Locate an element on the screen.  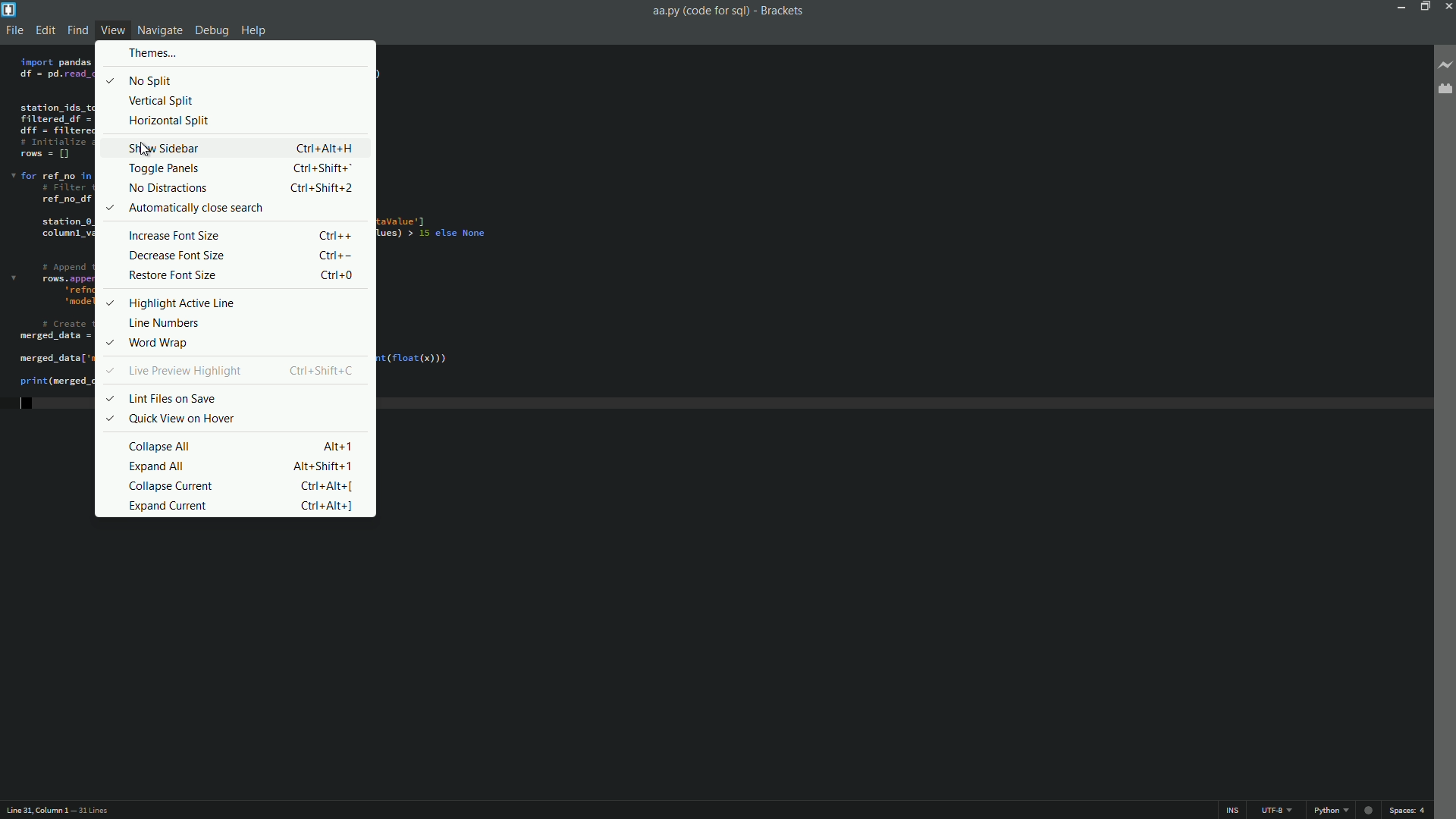
debug menu is located at coordinates (212, 31).